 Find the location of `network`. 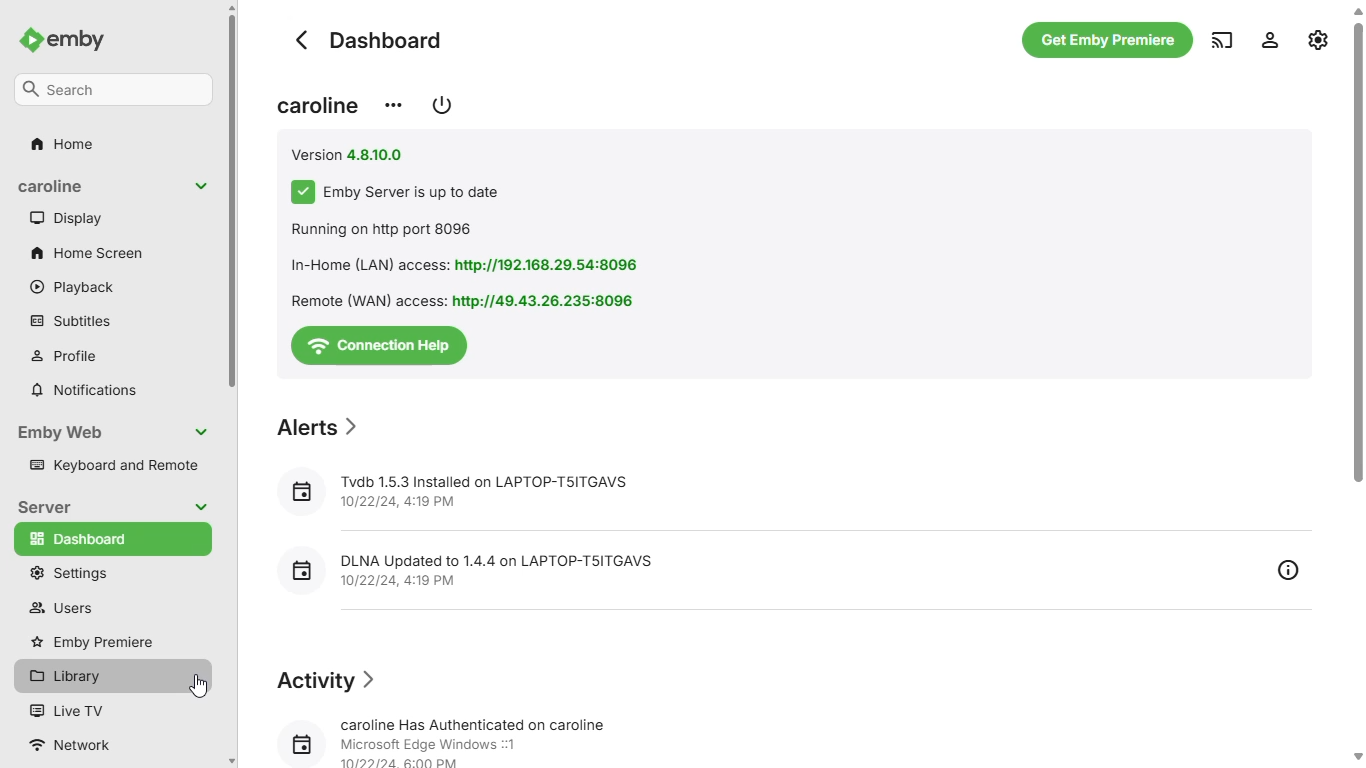

network is located at coordinates (79, 746).